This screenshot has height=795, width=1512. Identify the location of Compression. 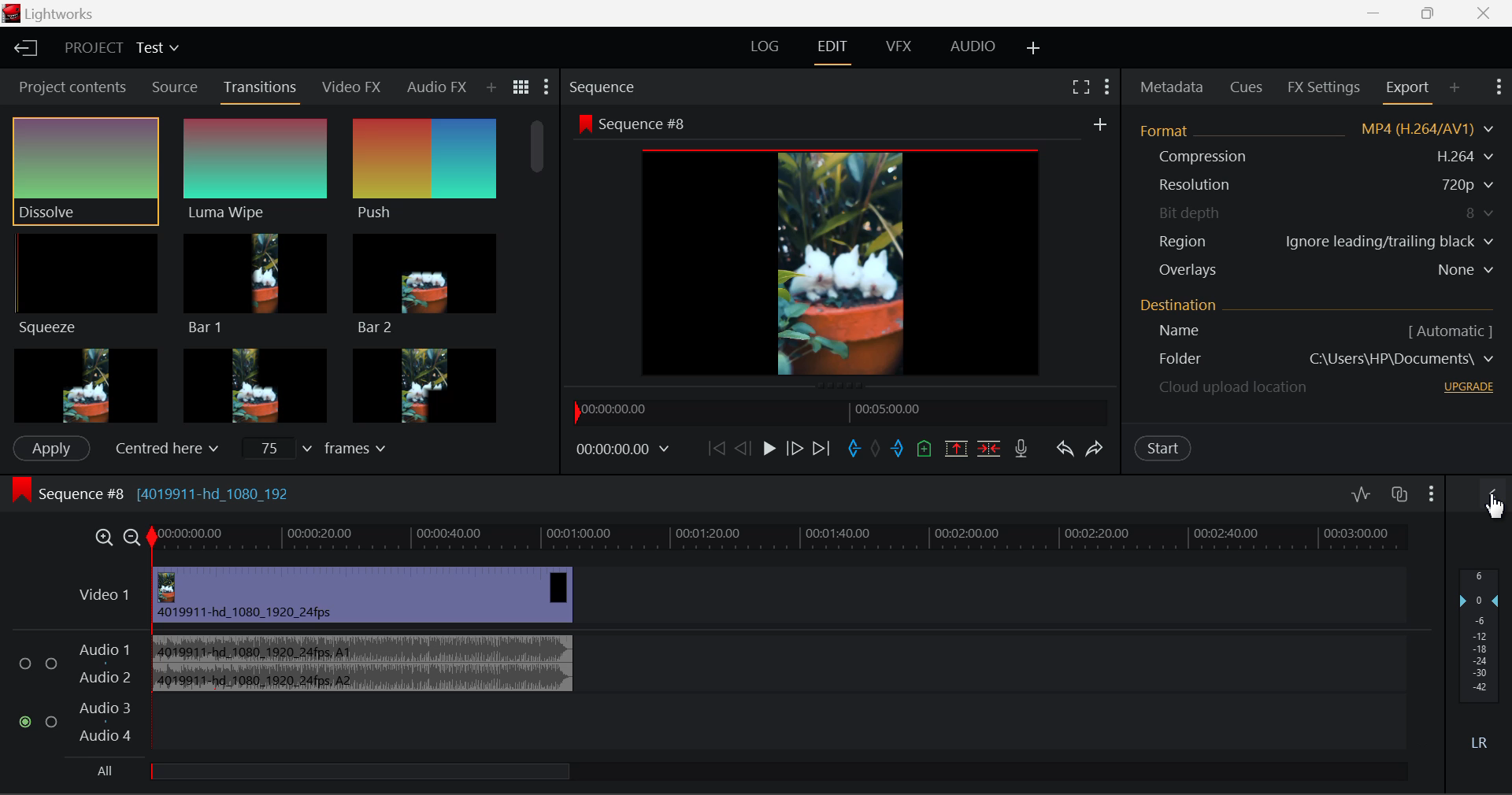
(1314, 156).